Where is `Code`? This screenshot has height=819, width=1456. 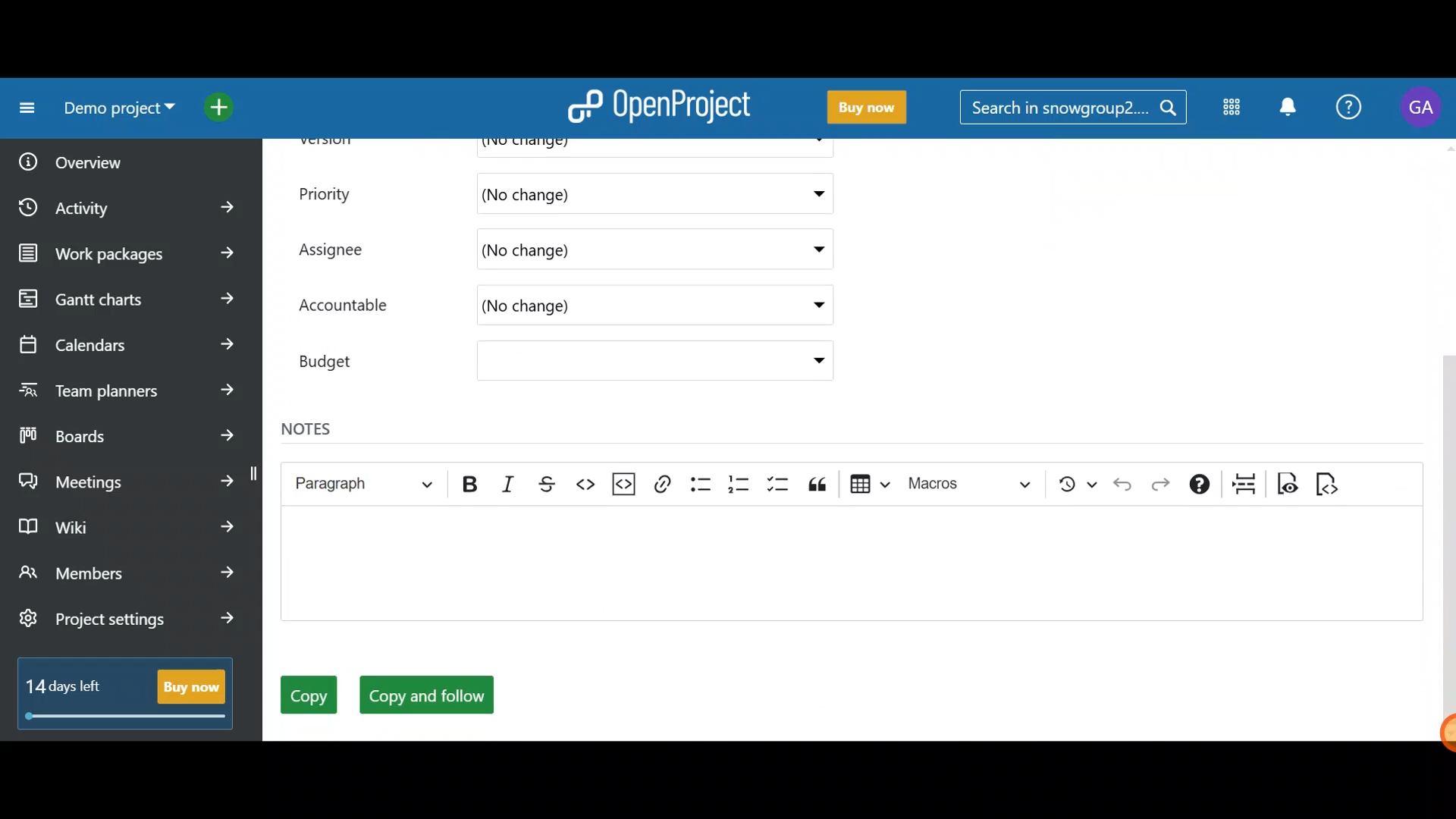
Code is located at coordinates (587, 485).